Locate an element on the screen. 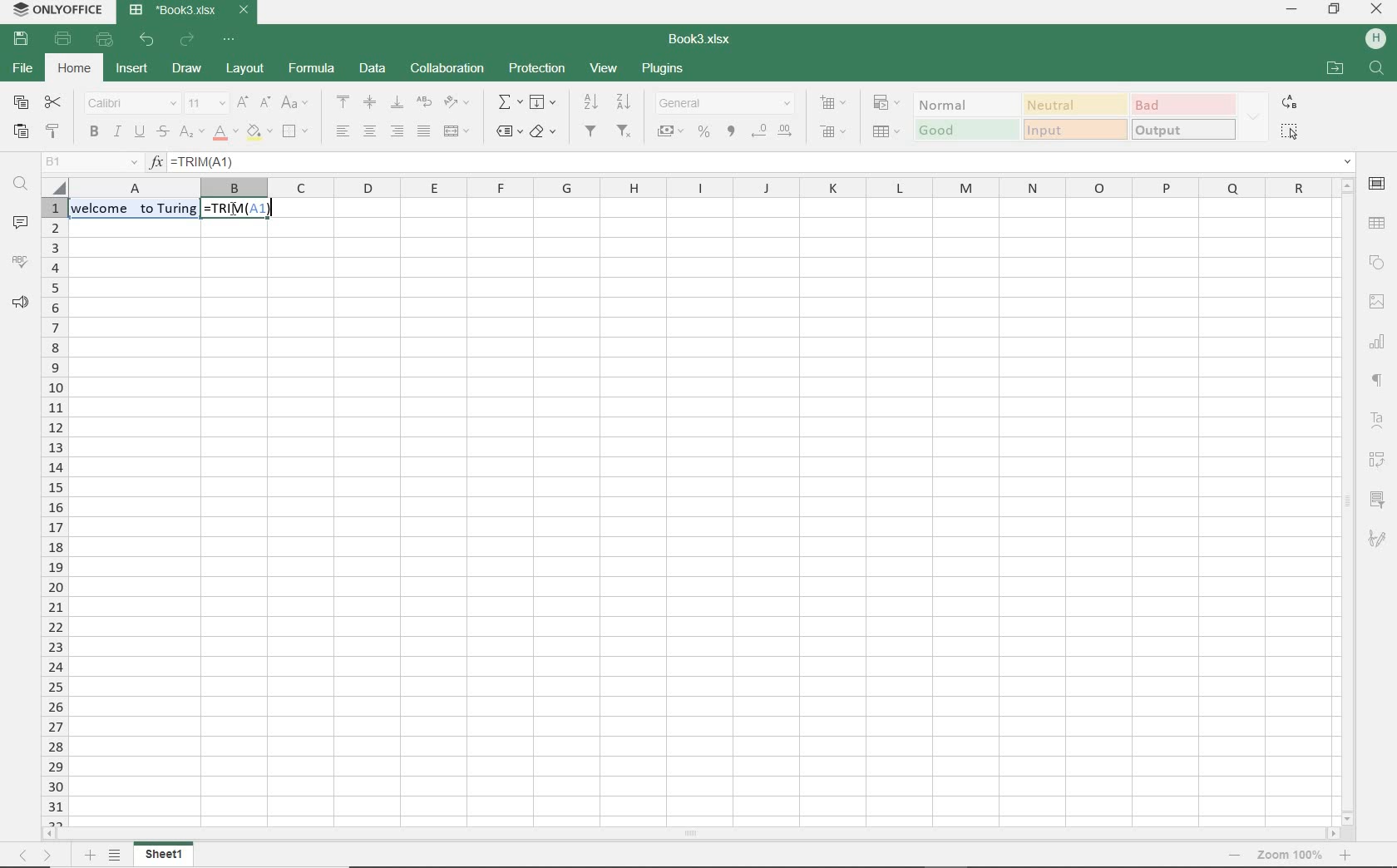 The height and width of the screenshot is (868, 1397). view is located at coordinates (605, 70).